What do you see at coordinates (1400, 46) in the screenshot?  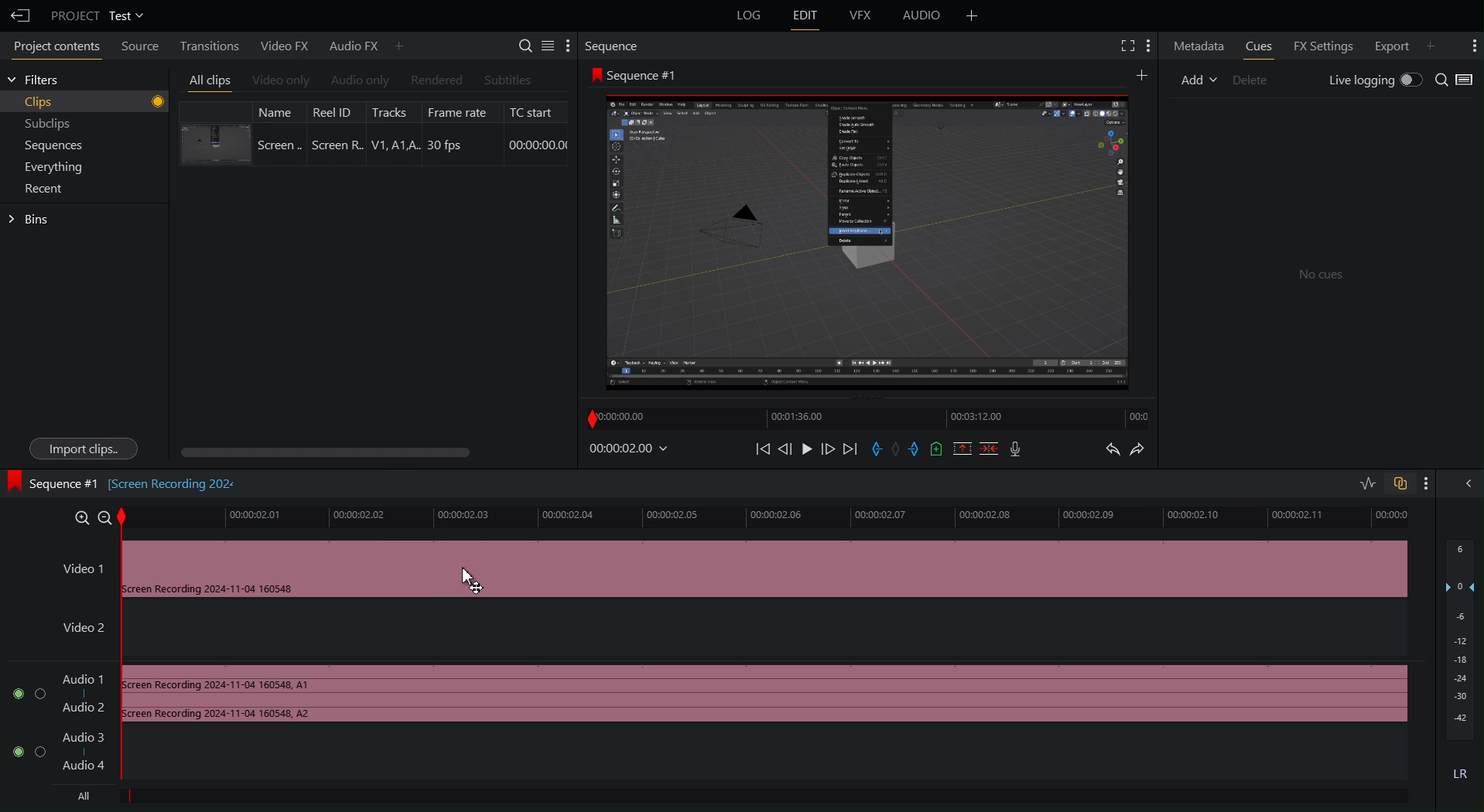 I see `Export` at bounding box center [1400, 46].